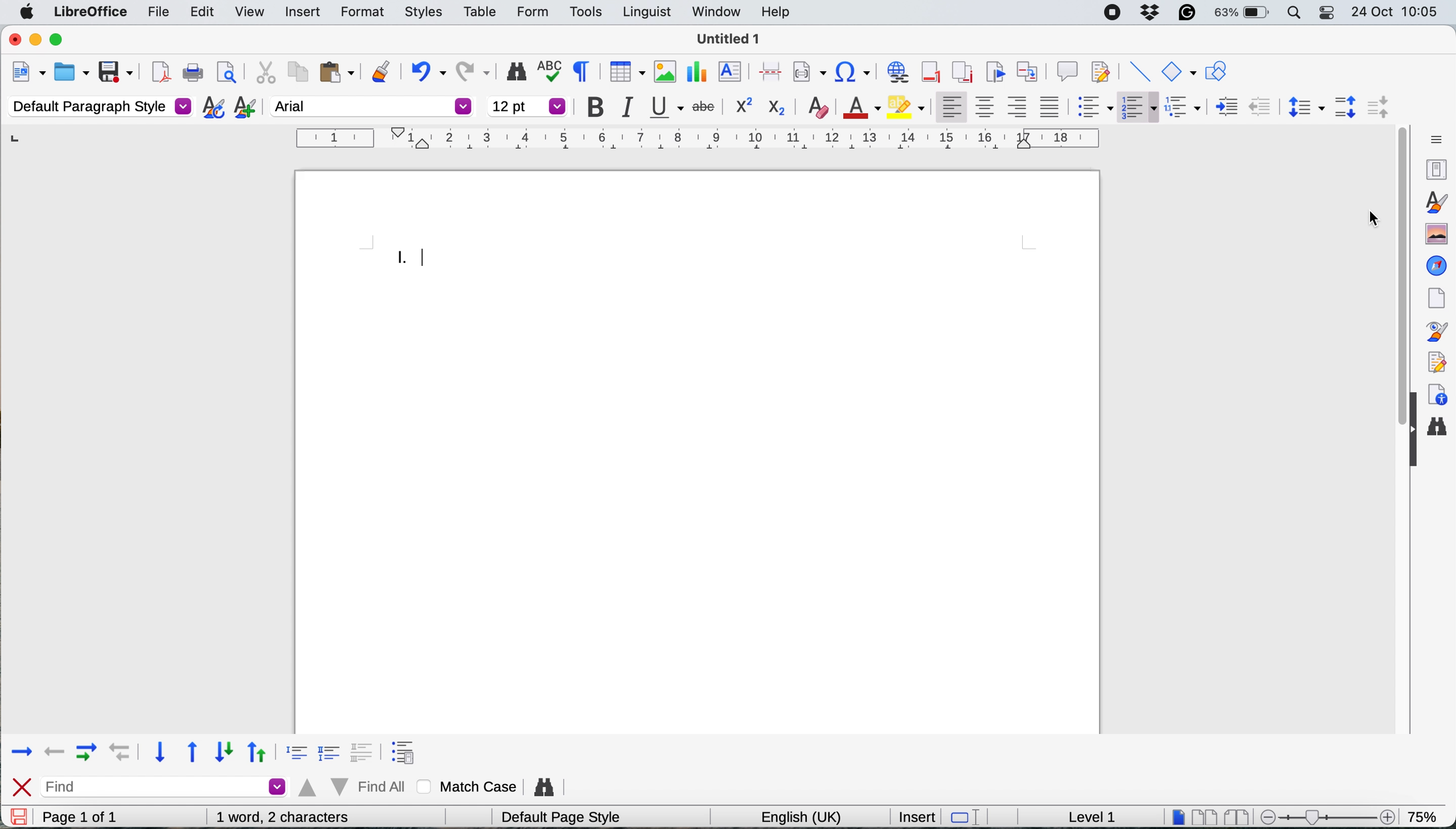  Describe the element at coordinates (1436, 395) in the screenshot. I see `accessibility checks` at that location.